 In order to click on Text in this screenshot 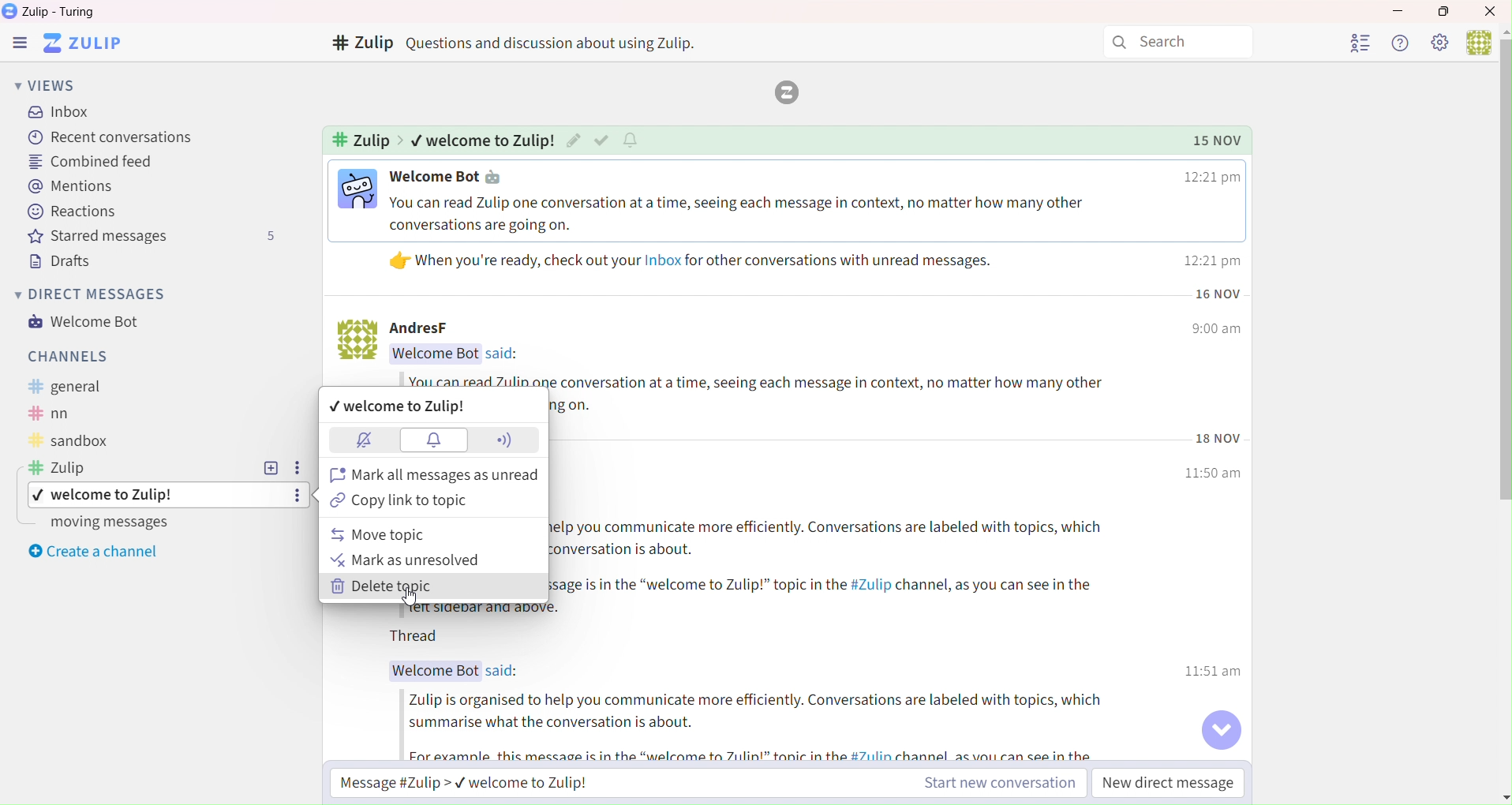, I will do `click(69, 442)`.